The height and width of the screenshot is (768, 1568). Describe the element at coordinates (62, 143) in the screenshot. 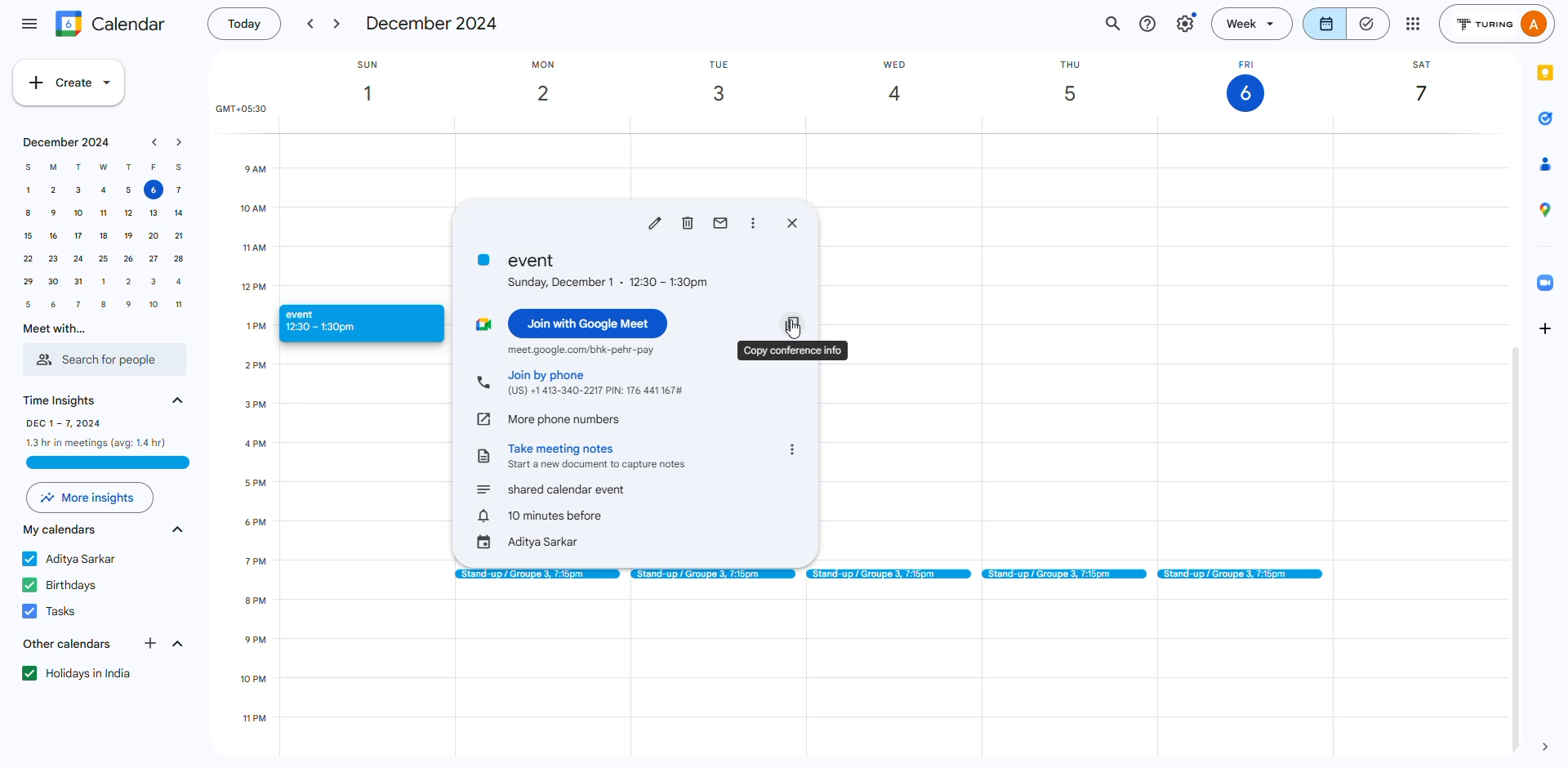

I see `December 2024` at that location.